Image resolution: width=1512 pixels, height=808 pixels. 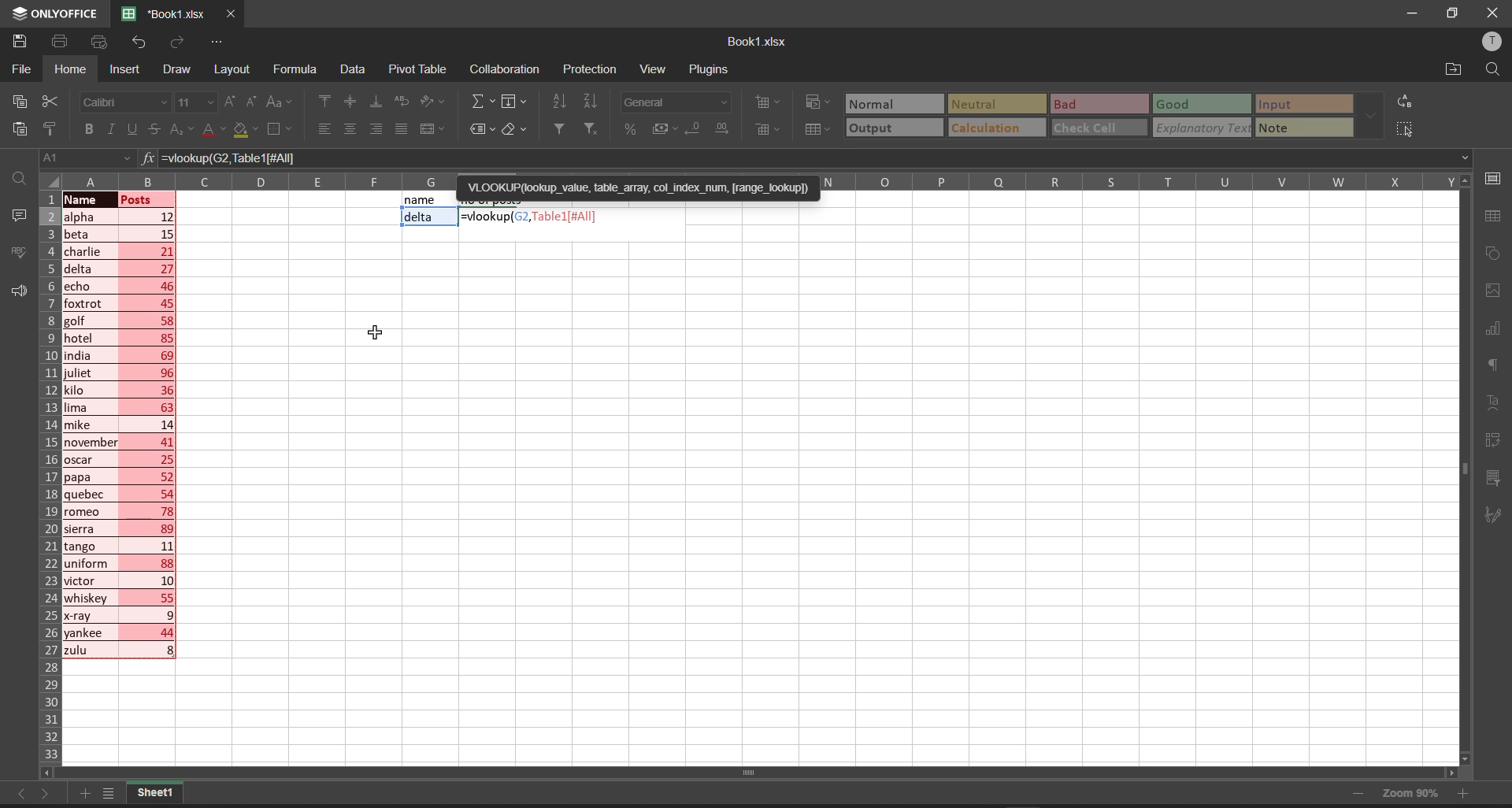 What do you see at coordinates (1070, 104) in the screenshot?
I see `Bad` at bounding box center [1070, 104].